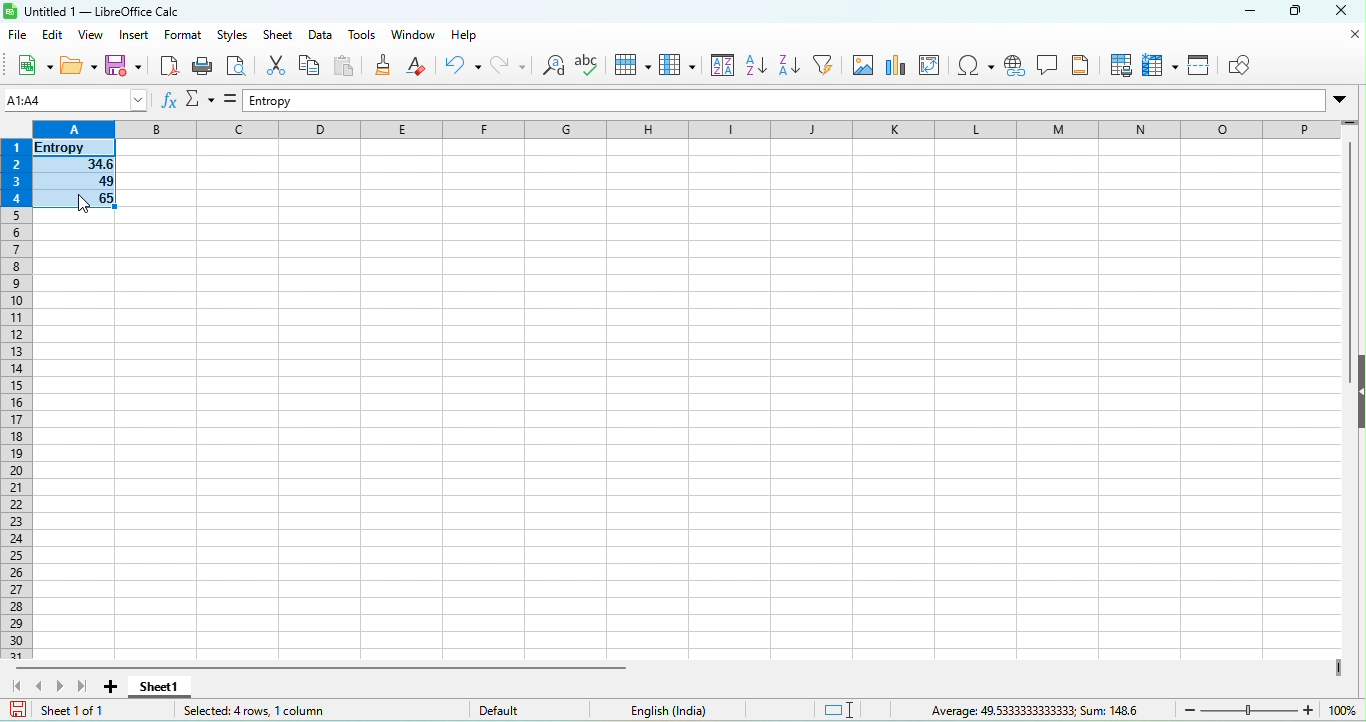 The height and width of the screenshot is (722, 1366). Describe the element at coordinates (1158, 68) in the screenshot. I see `freeze row and column` at that location.